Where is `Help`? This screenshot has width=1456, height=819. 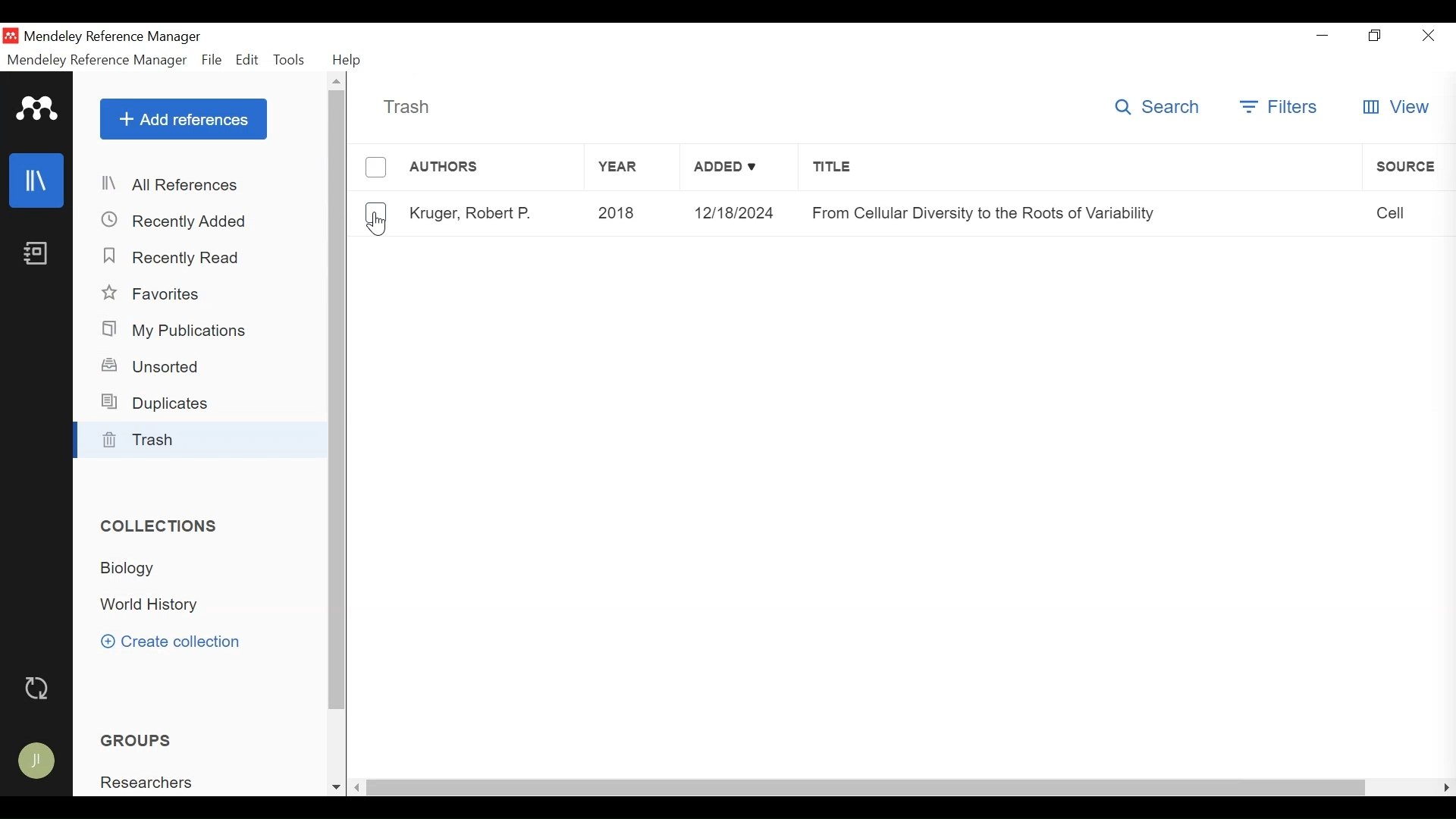
Help is located at coordinates (345, 59).